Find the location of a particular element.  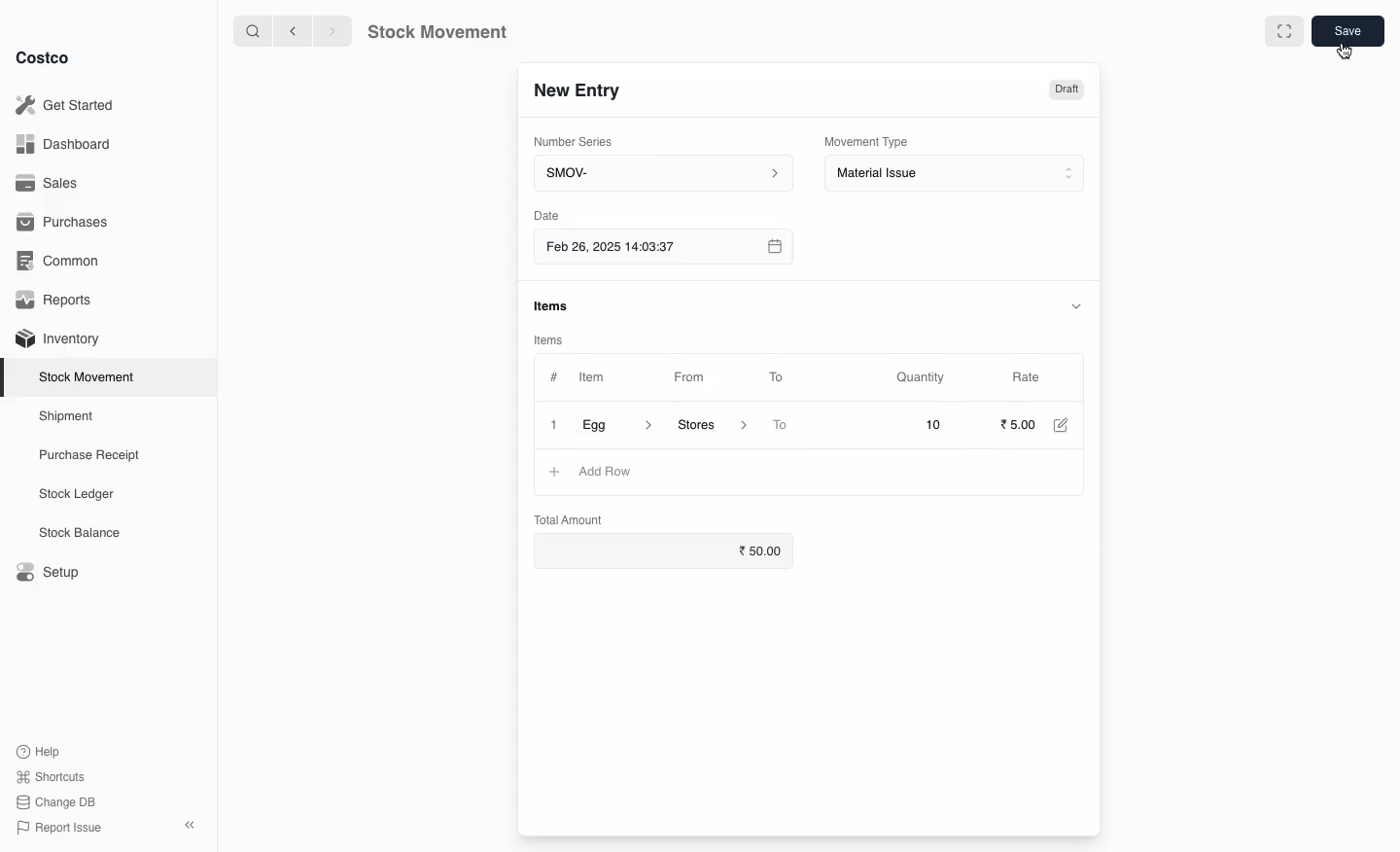

Quantity is located at coordinates (924, 378).